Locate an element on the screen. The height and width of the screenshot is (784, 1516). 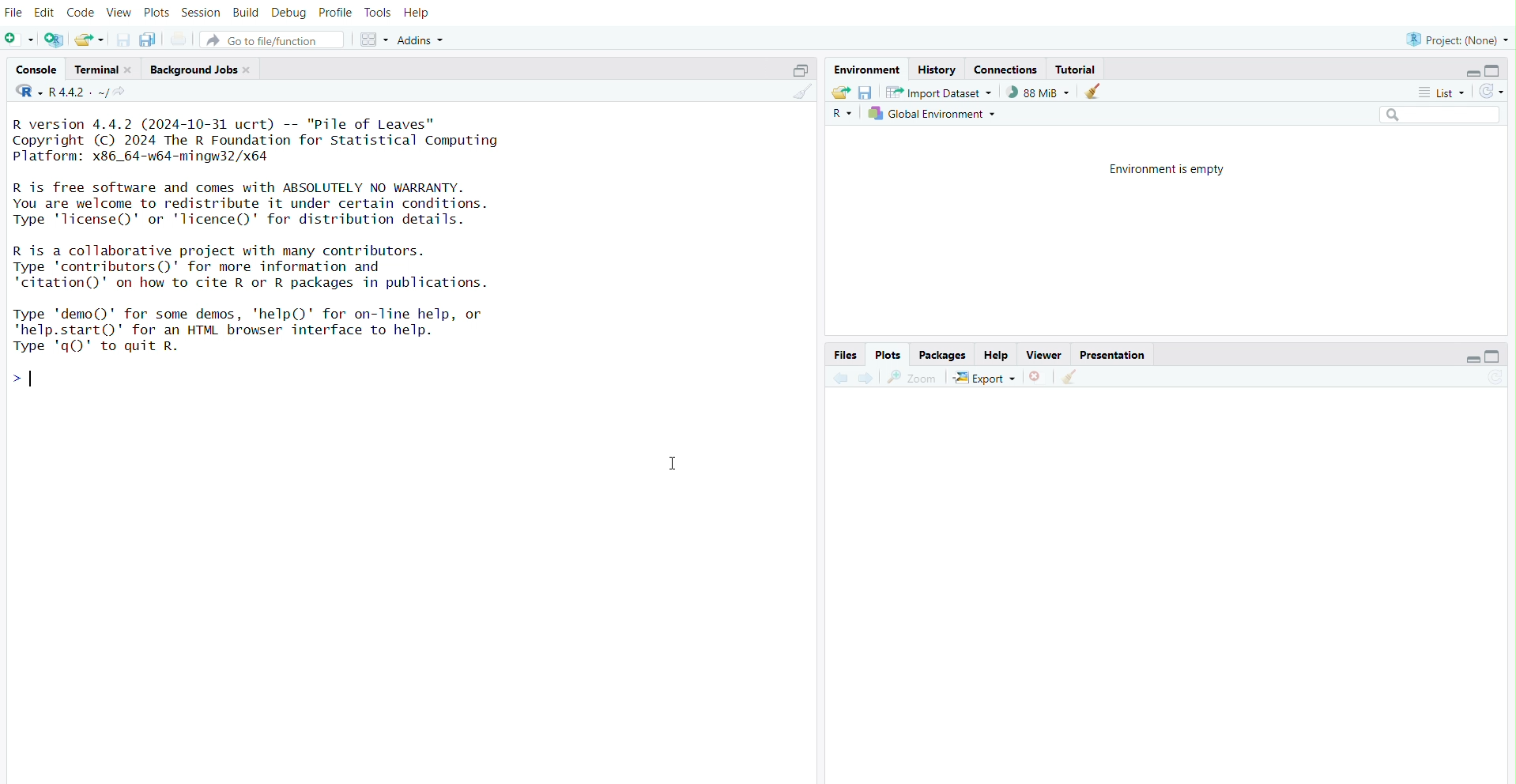
language select is located at coordinates (843, 116).